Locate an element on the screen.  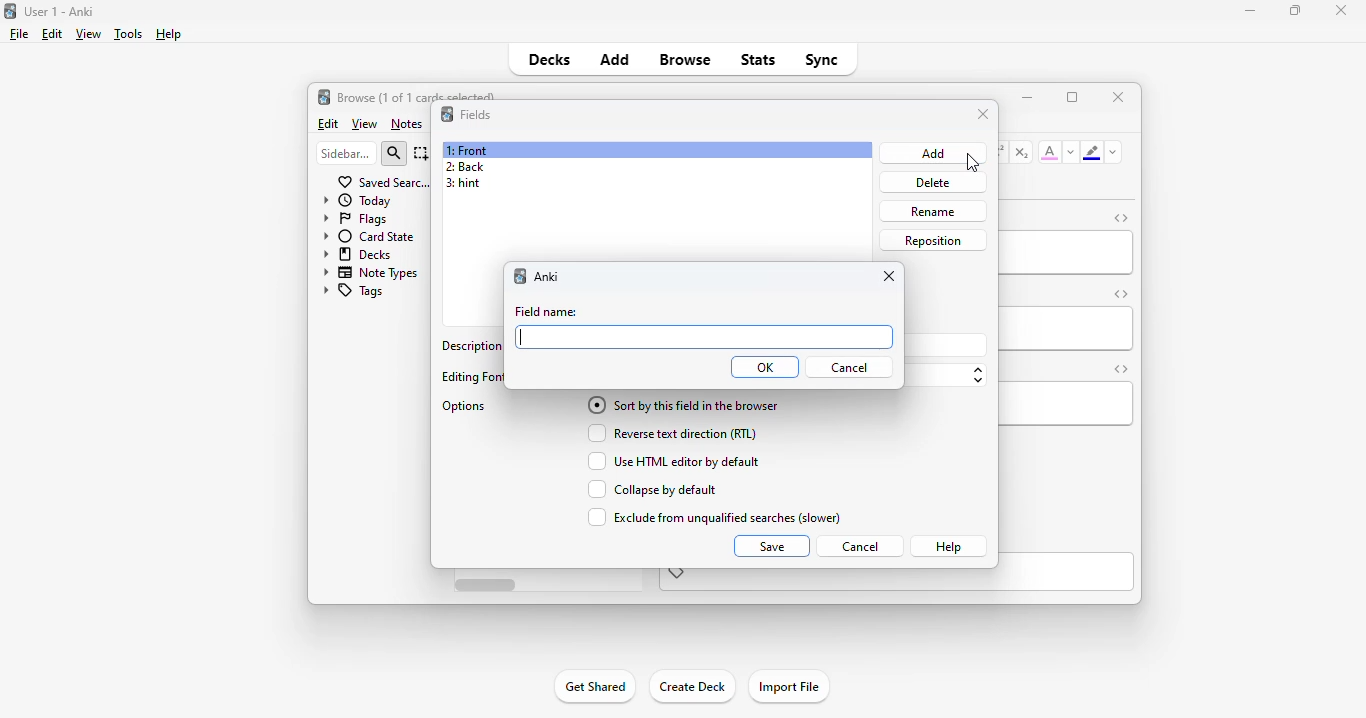
decks is located at coordinates (359, 253).